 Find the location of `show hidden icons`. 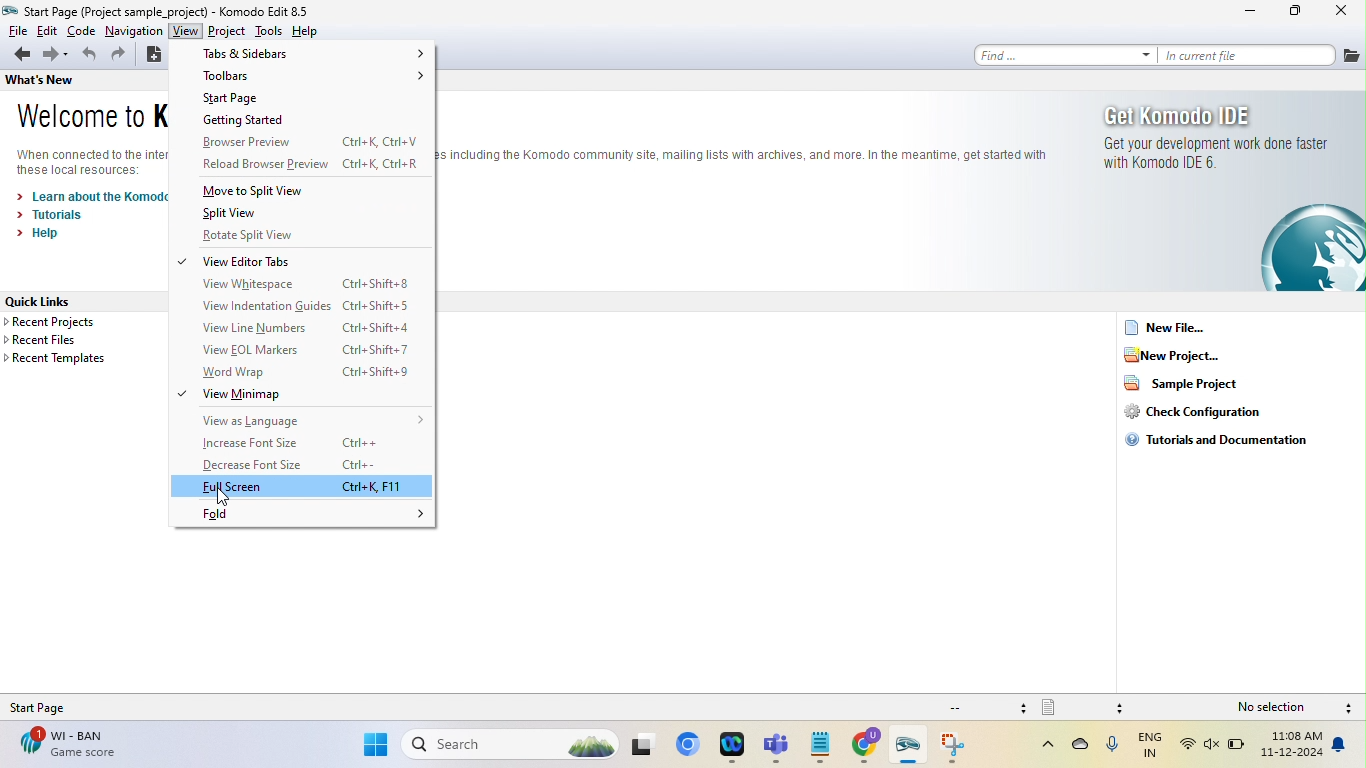

show hidden icons is located at coordinates (1037, 745).